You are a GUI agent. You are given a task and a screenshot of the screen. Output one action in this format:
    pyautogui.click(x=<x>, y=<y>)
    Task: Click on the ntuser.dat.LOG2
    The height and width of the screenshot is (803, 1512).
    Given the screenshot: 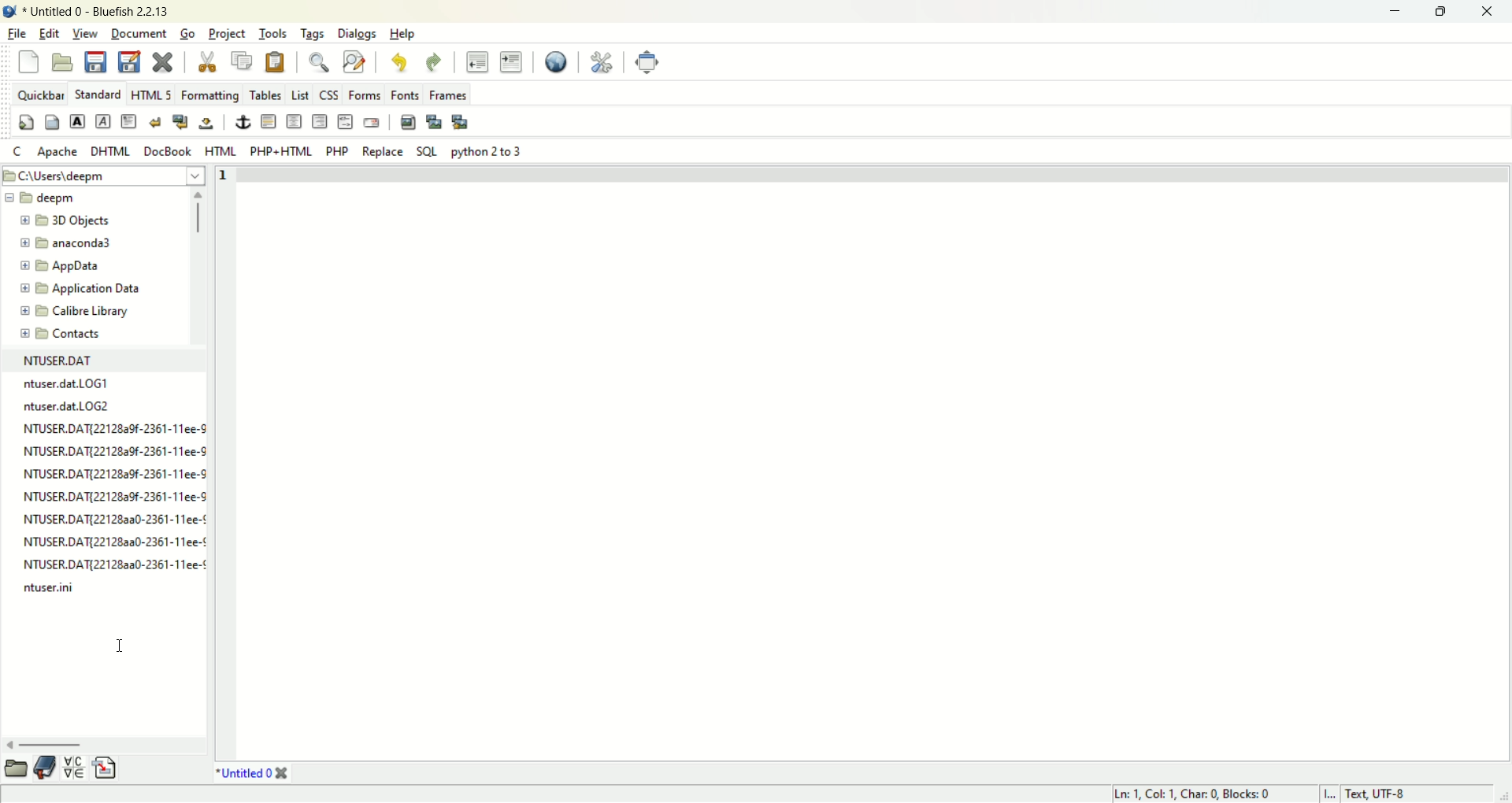 What is the action you would take?
    pyautogui.click(x=67, y=405)
    